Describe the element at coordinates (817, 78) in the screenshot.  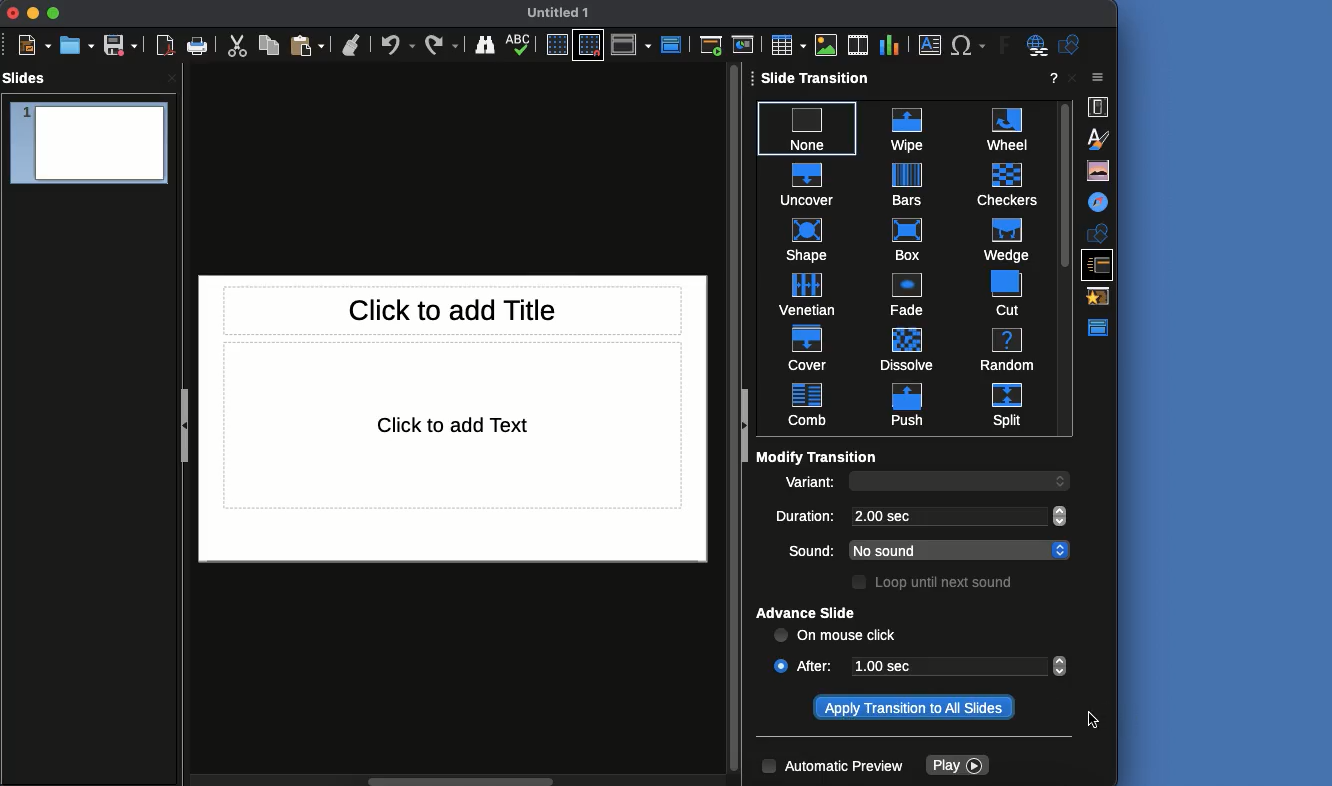
I see `Slide transition` at that location.